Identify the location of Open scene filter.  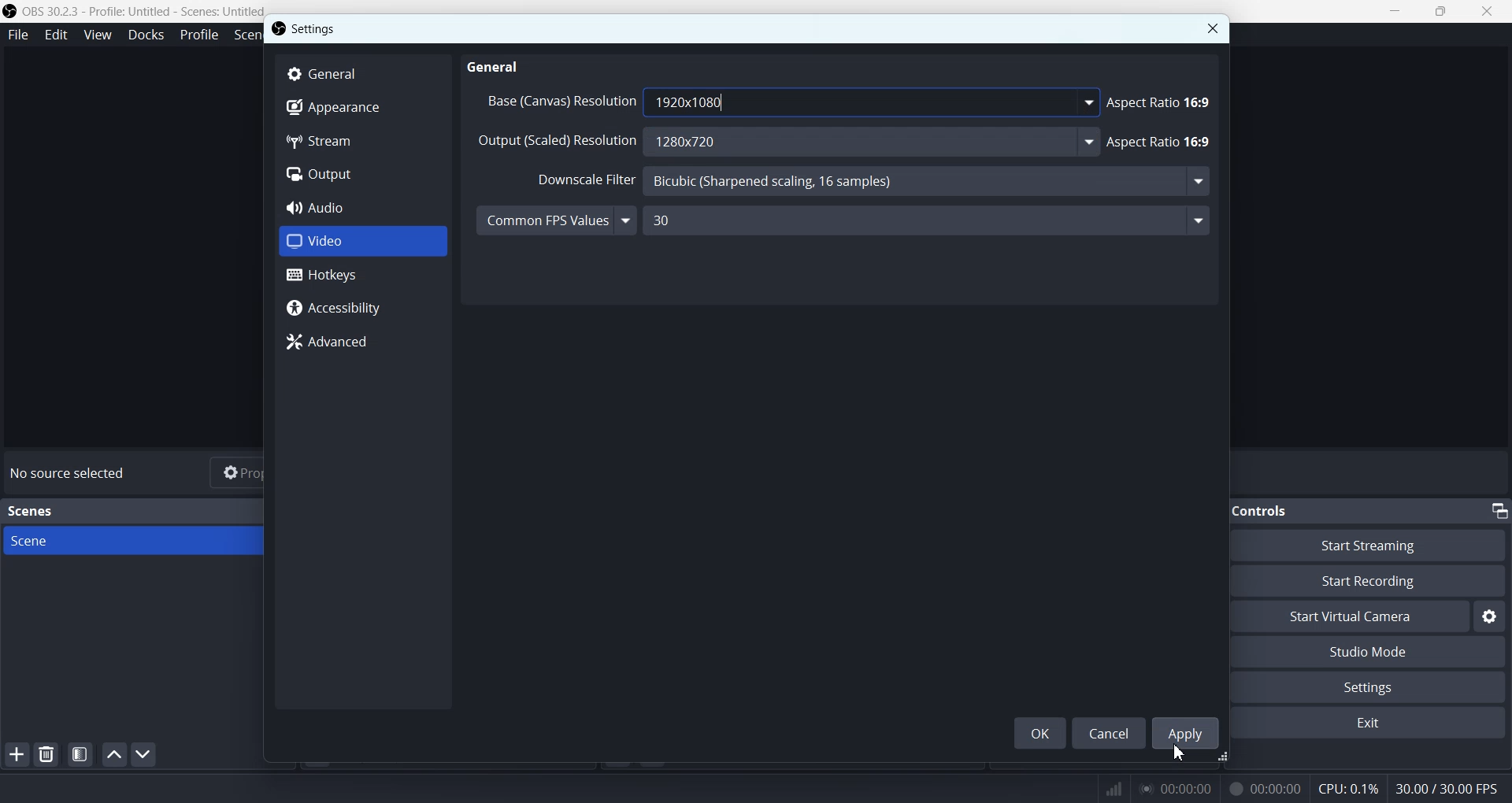
(80, 754).